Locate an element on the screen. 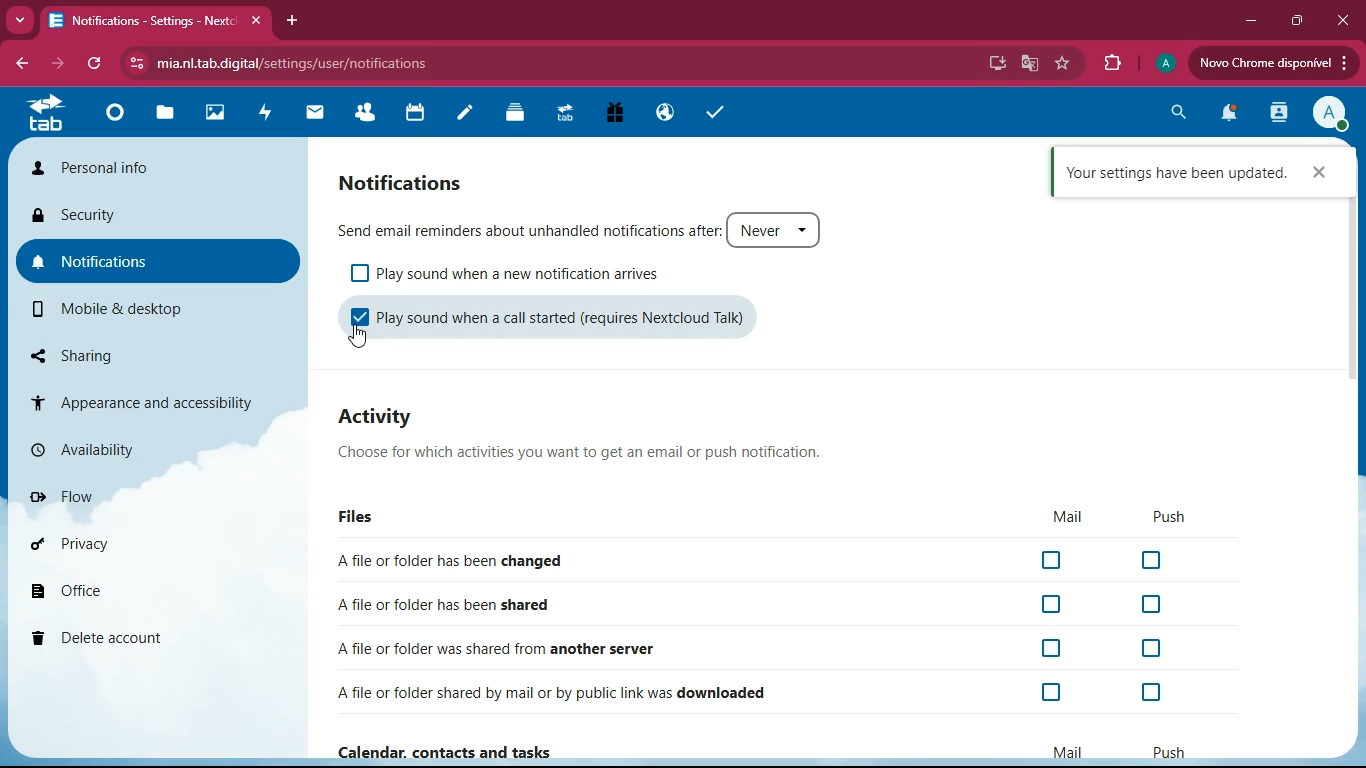 This screenshot has height=768, width=1366. sharing is located at coordinates (67, 351).